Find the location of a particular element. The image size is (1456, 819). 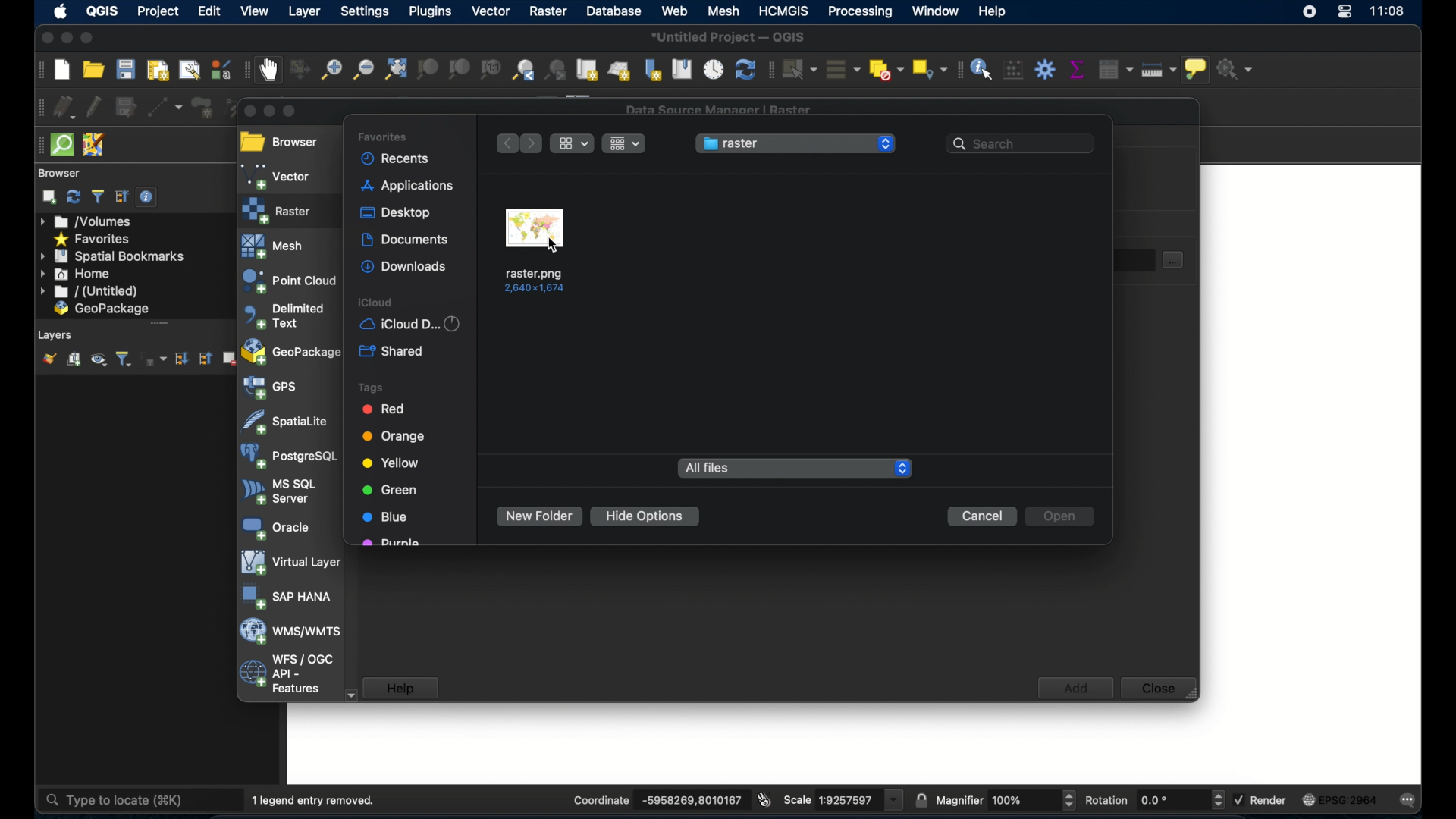

show spatial bookmarks is located at coordinates (681, 69).